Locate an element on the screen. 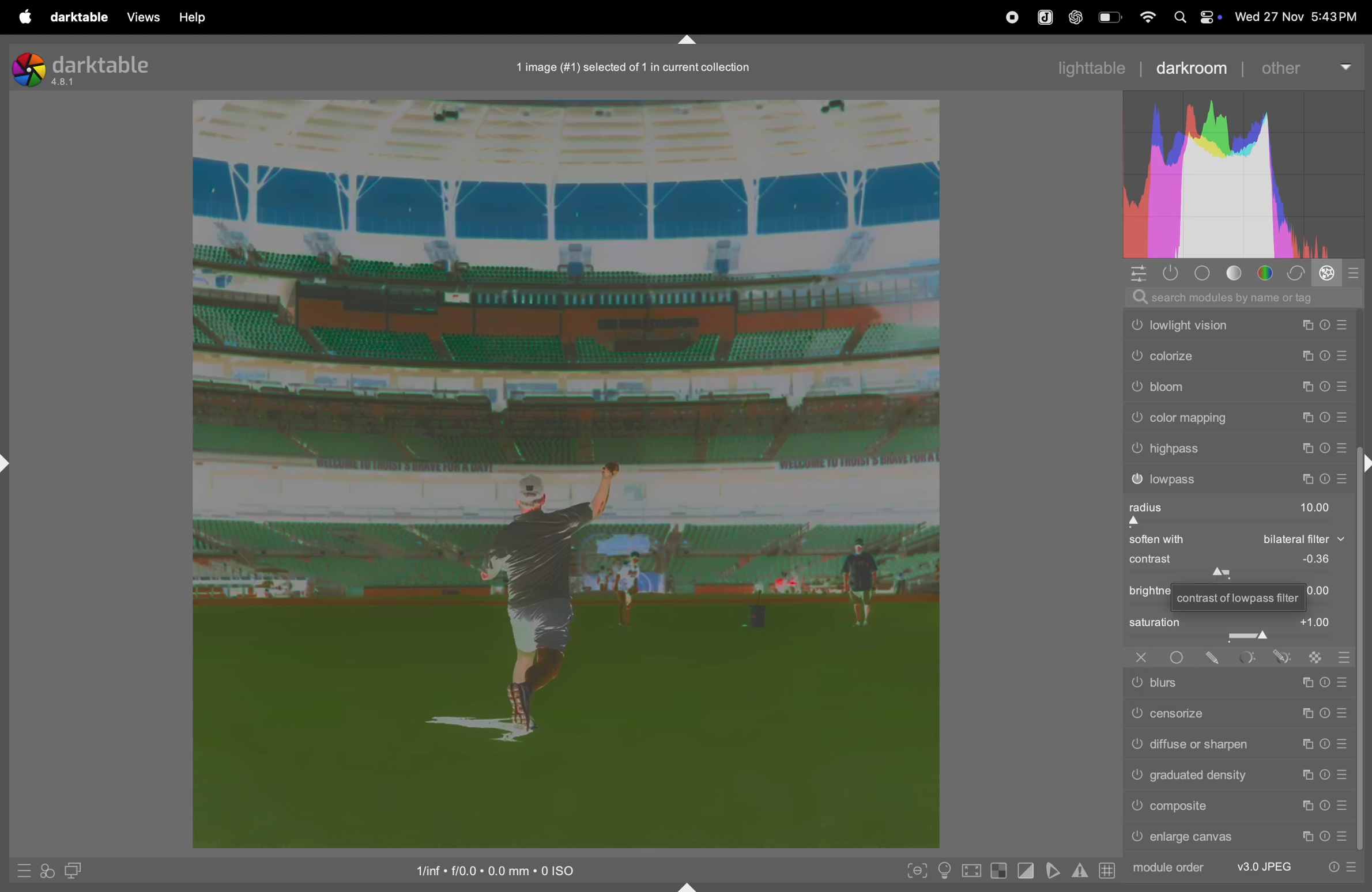 The width and height of the screenshot is (1372, 892). blurs is located at coordinates (1237, 684).